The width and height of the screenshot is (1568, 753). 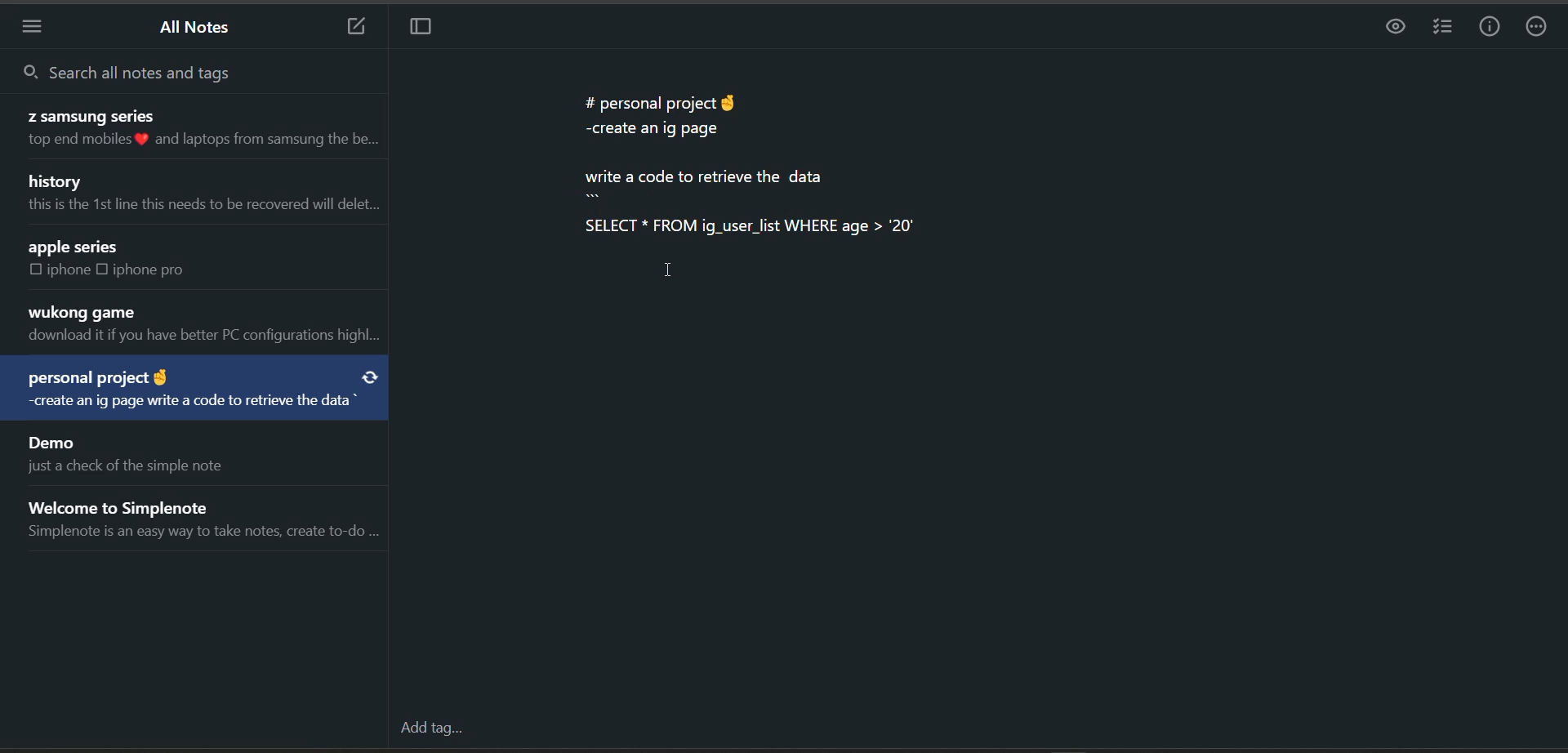 I want to click on toggle focus mode, so click(x=425, y=30).